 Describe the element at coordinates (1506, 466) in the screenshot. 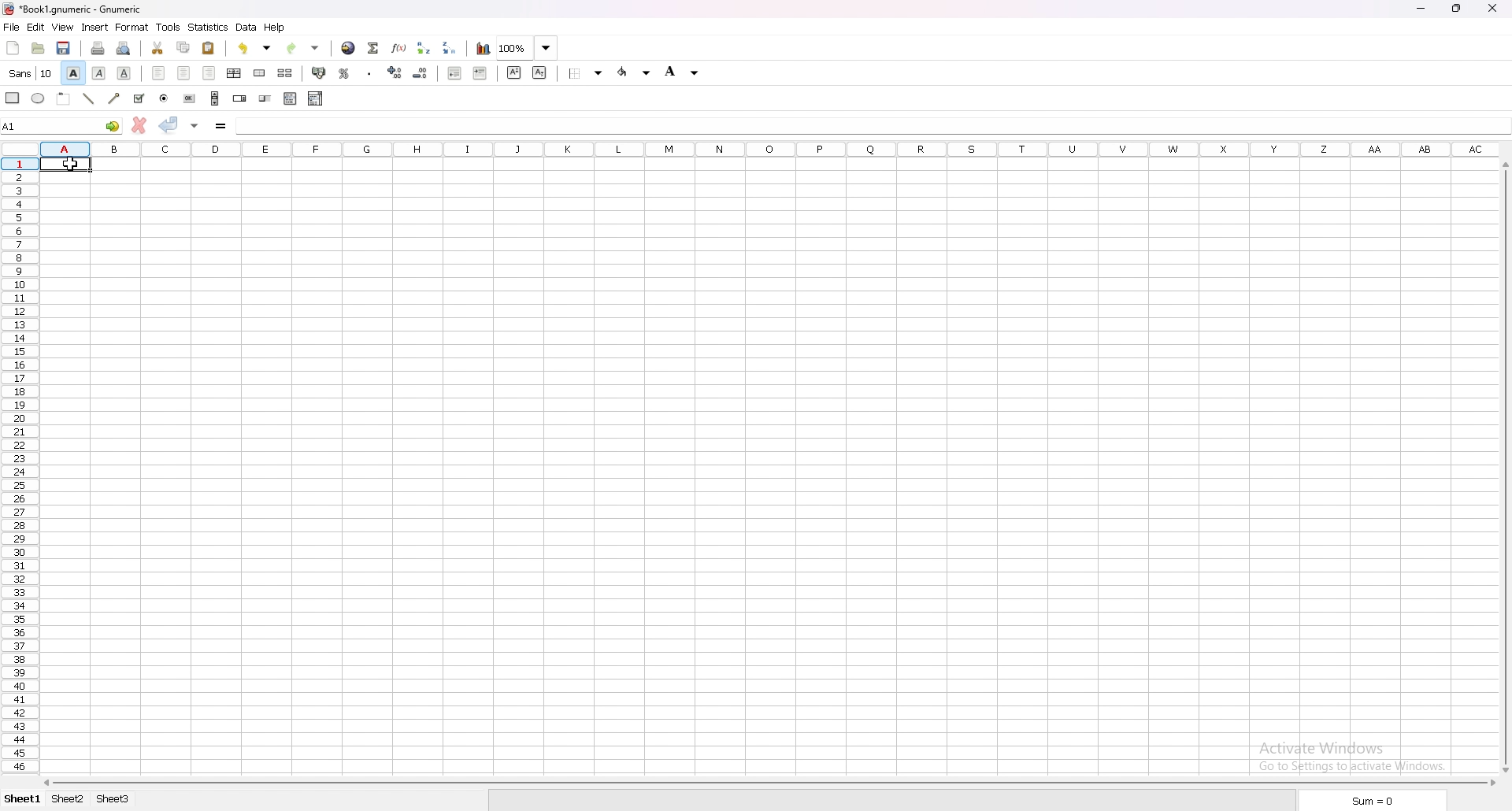

I see `scroll bar` at that location.